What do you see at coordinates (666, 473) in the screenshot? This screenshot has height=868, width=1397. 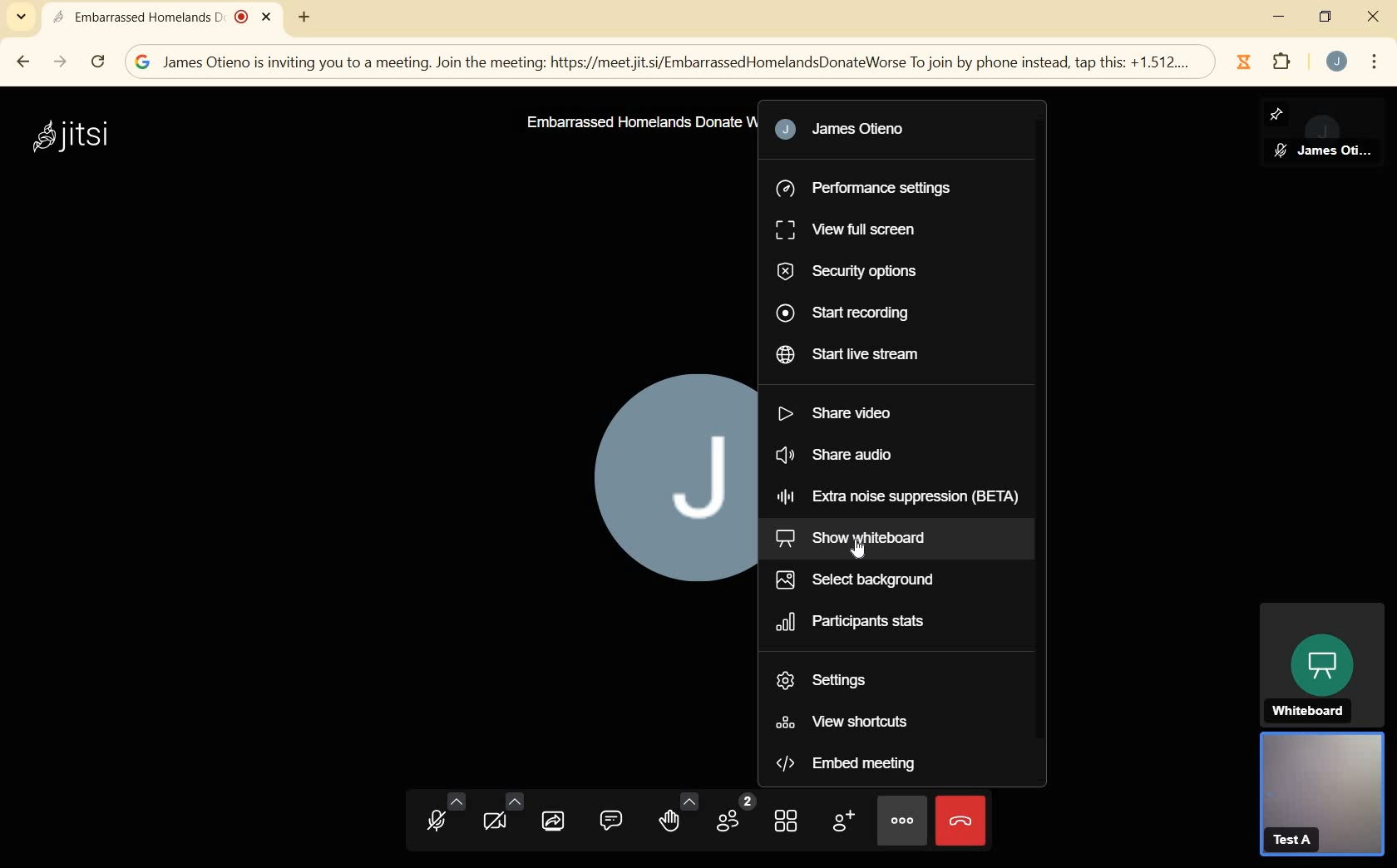 I see `J` at bounding box center [666, 473].